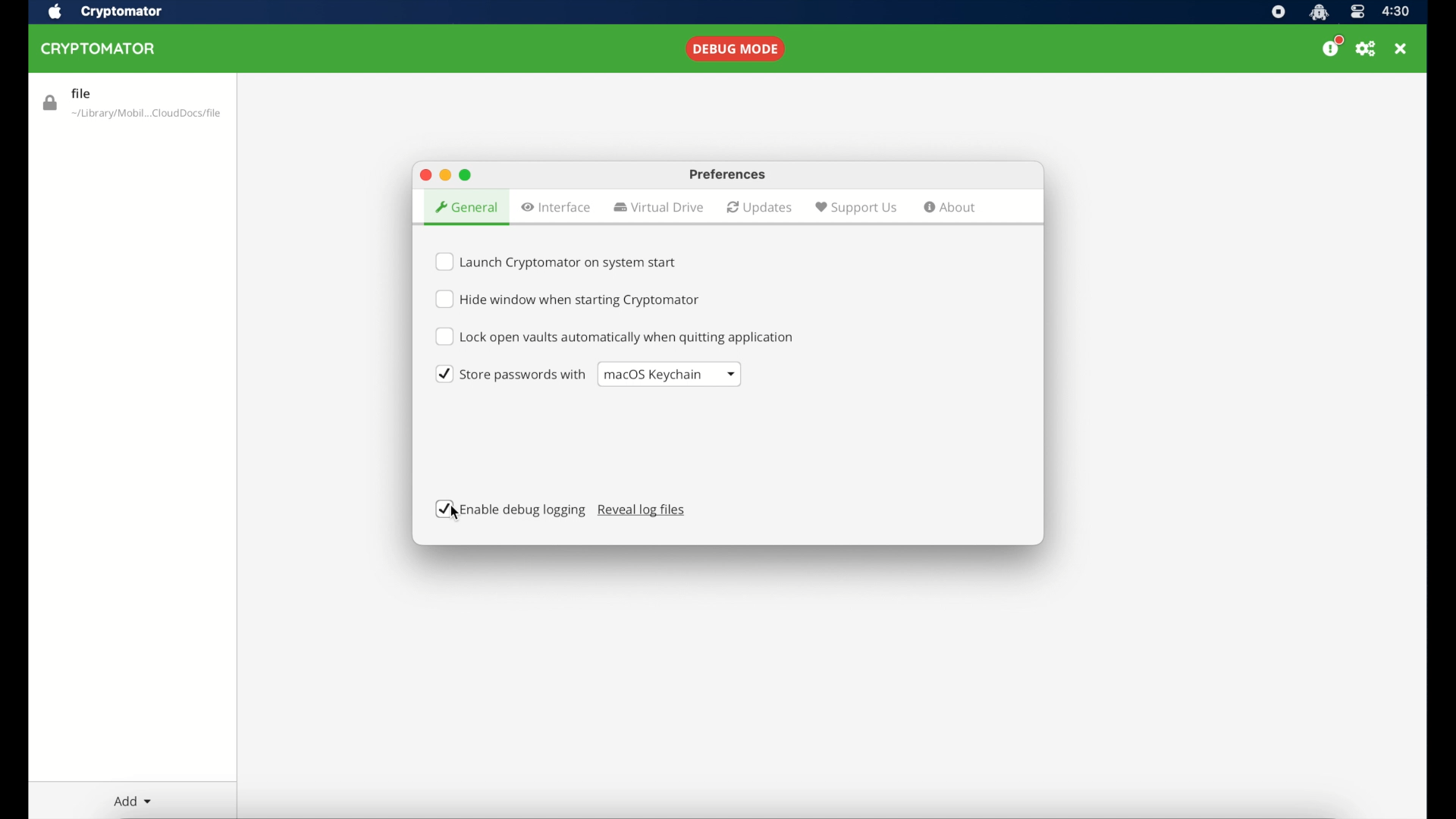 This screenshot has width=1456, height=819. What do you see at coordinates (642, 511) in the screenshot?
I see `reveal log files` at bounding box center [642, 511].